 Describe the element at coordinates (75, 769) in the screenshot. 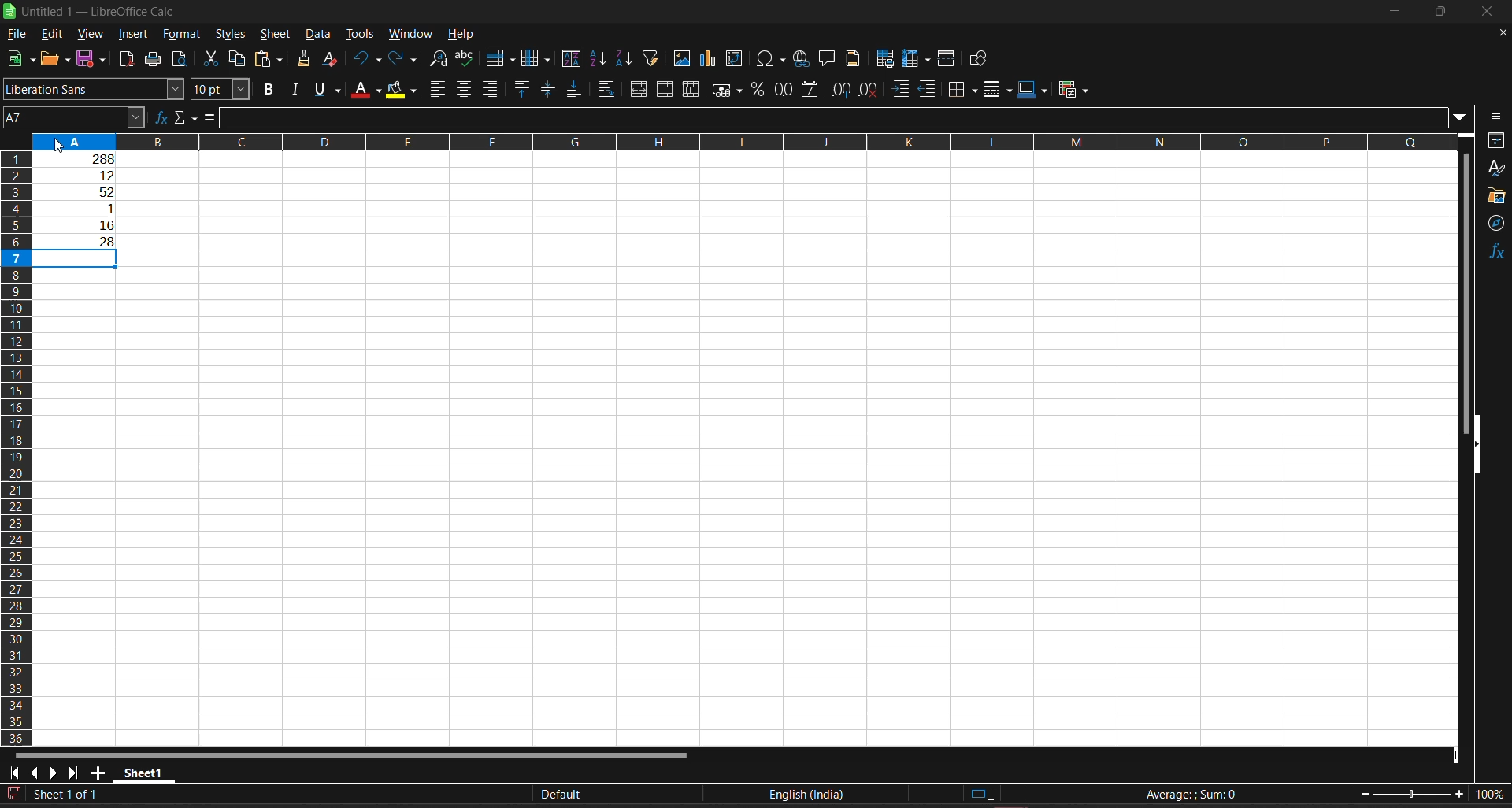

I see `scroll to  last sheet` at that location.